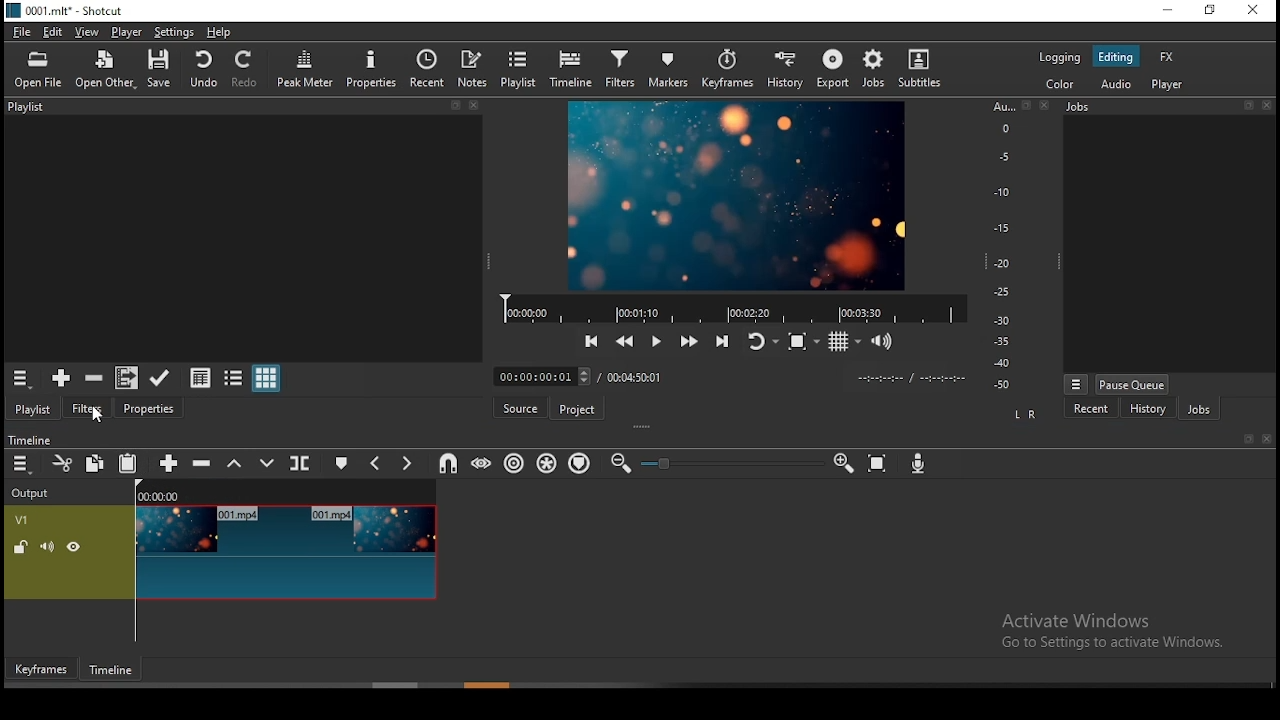  Describe the element at coordinates (95, 380) in the screenshot. I see `remove cut` at that location.